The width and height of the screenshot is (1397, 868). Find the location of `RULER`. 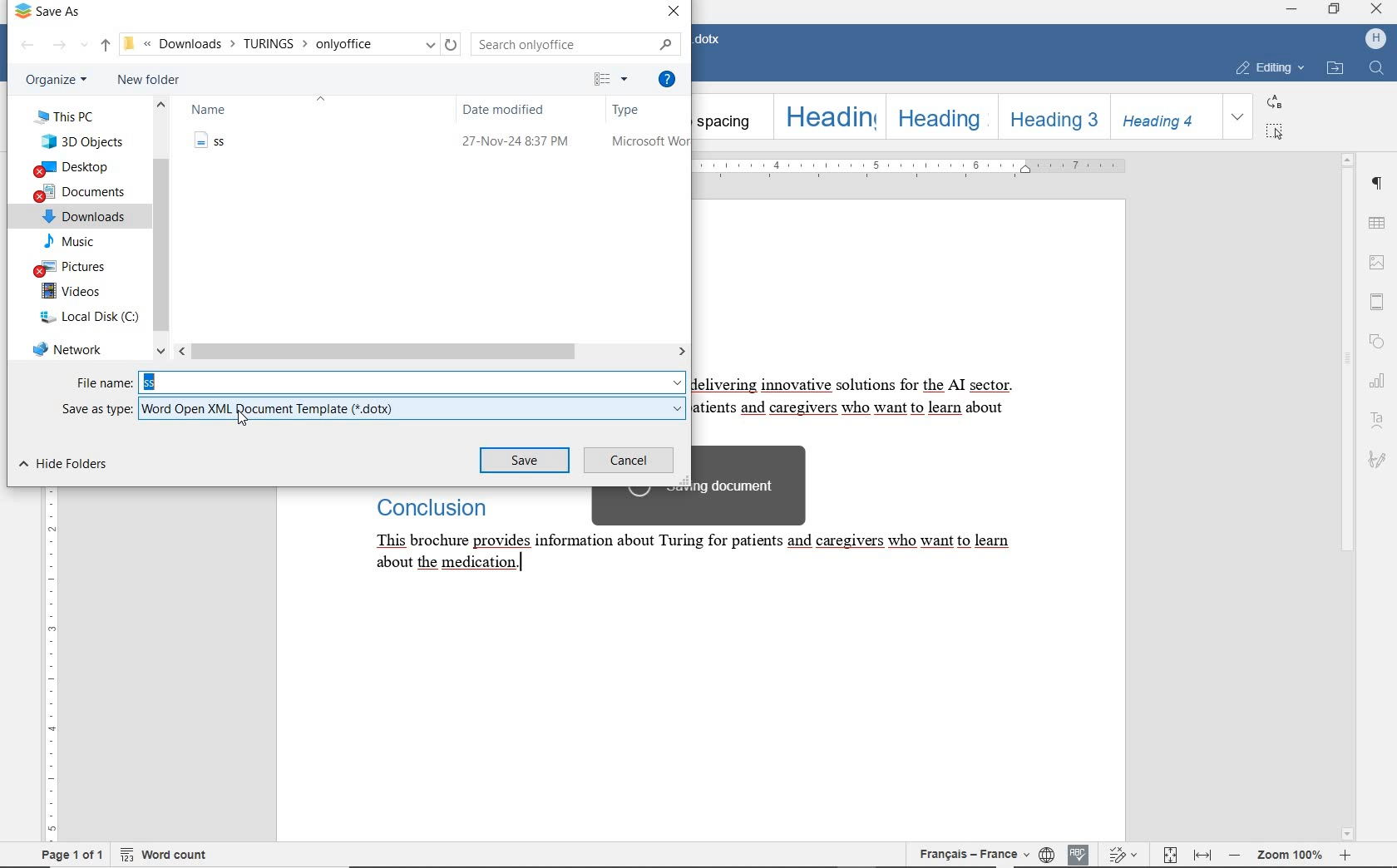

RULER is located at coordinates (915, 165).